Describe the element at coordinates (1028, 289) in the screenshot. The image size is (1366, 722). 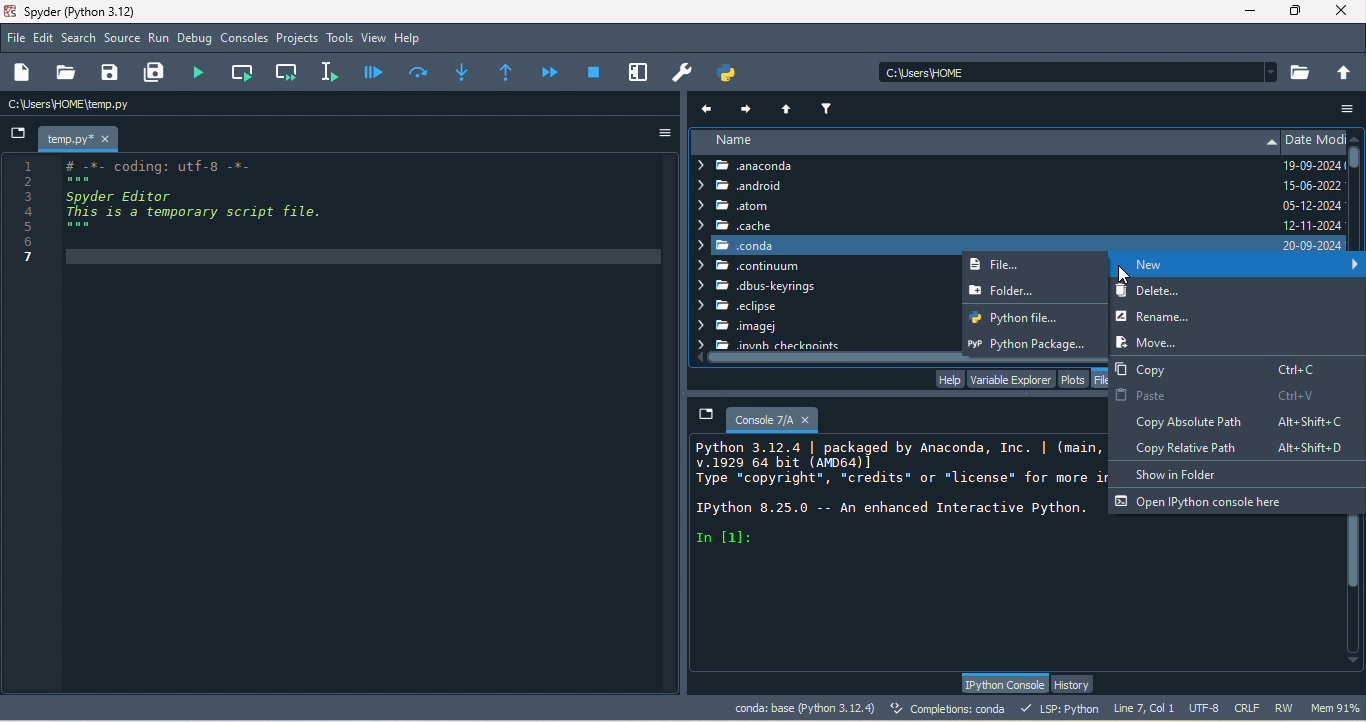
I see `folder` at that location.